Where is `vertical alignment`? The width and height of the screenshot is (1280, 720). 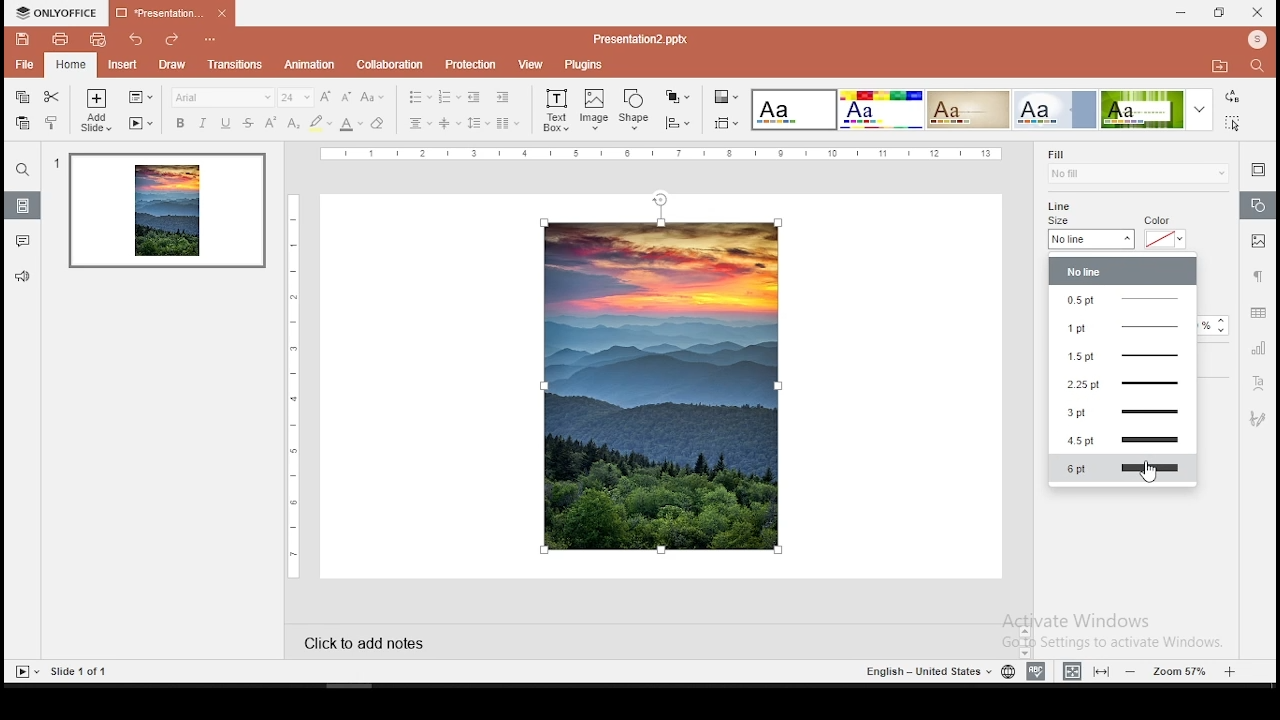
vertical alignment is located at coordinates (449, 123).